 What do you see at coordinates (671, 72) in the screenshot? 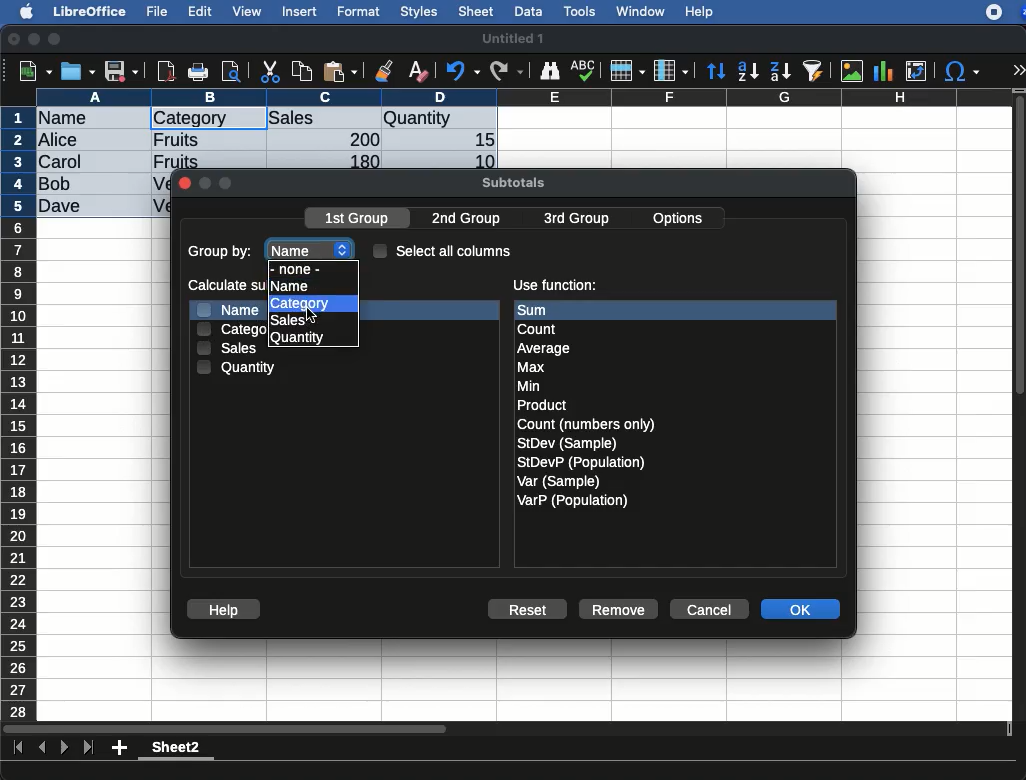
I see `column` at bounding box center [671, 72].